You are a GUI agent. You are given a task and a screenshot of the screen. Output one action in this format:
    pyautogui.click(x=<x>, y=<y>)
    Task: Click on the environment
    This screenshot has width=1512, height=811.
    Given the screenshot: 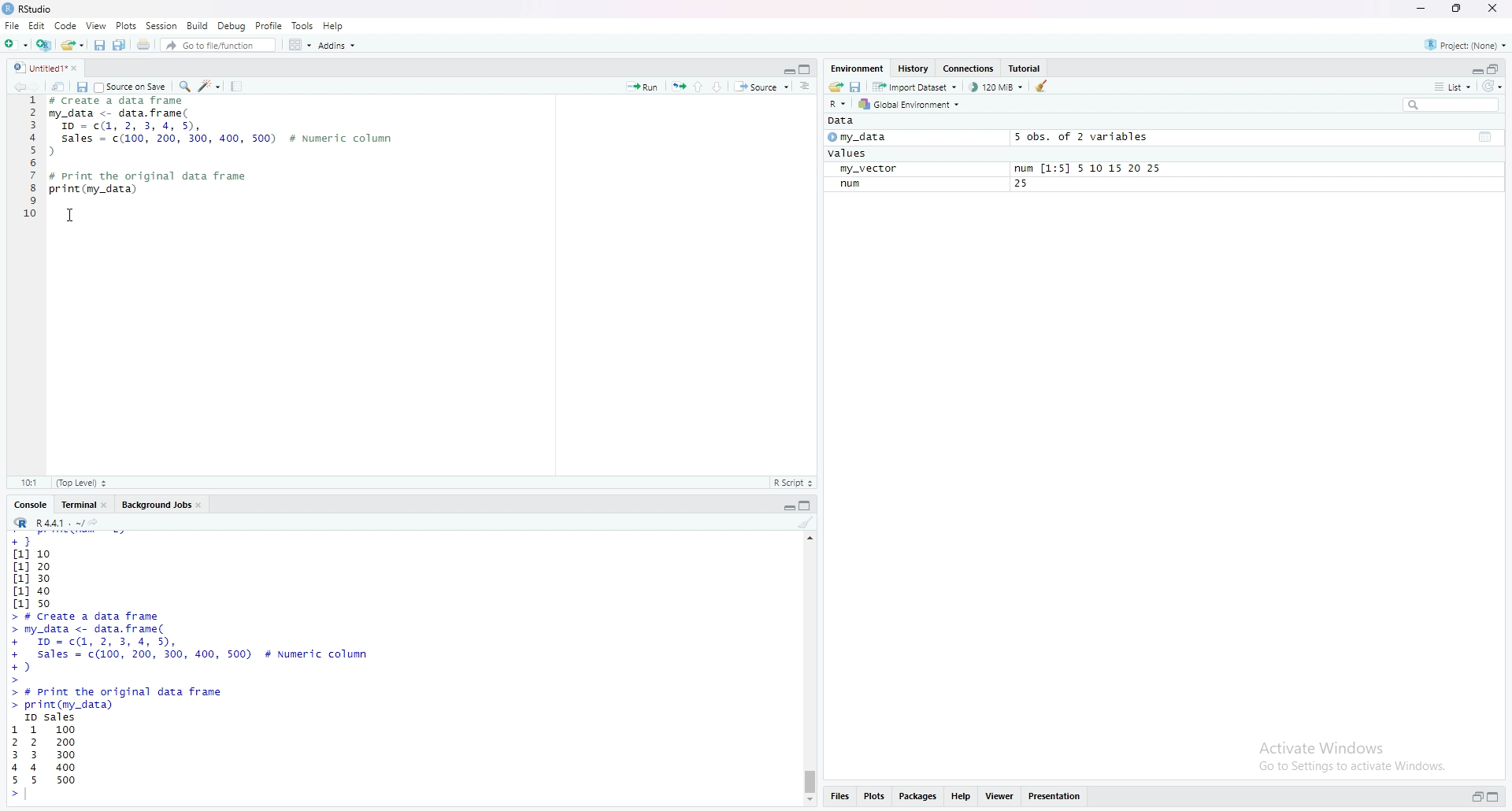 What is the action you would take?
    pyautogui.click(x=857, y=66)
    